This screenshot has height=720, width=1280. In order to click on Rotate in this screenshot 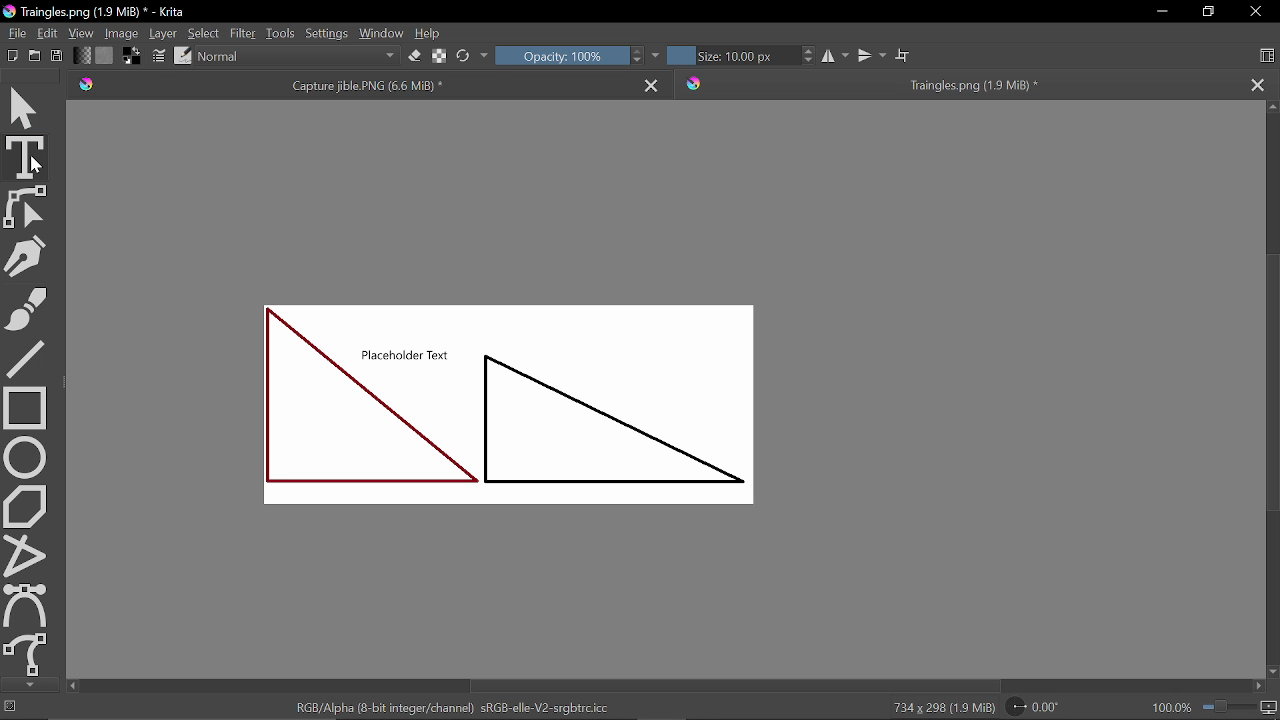, I will do `click(1038, 708)`.